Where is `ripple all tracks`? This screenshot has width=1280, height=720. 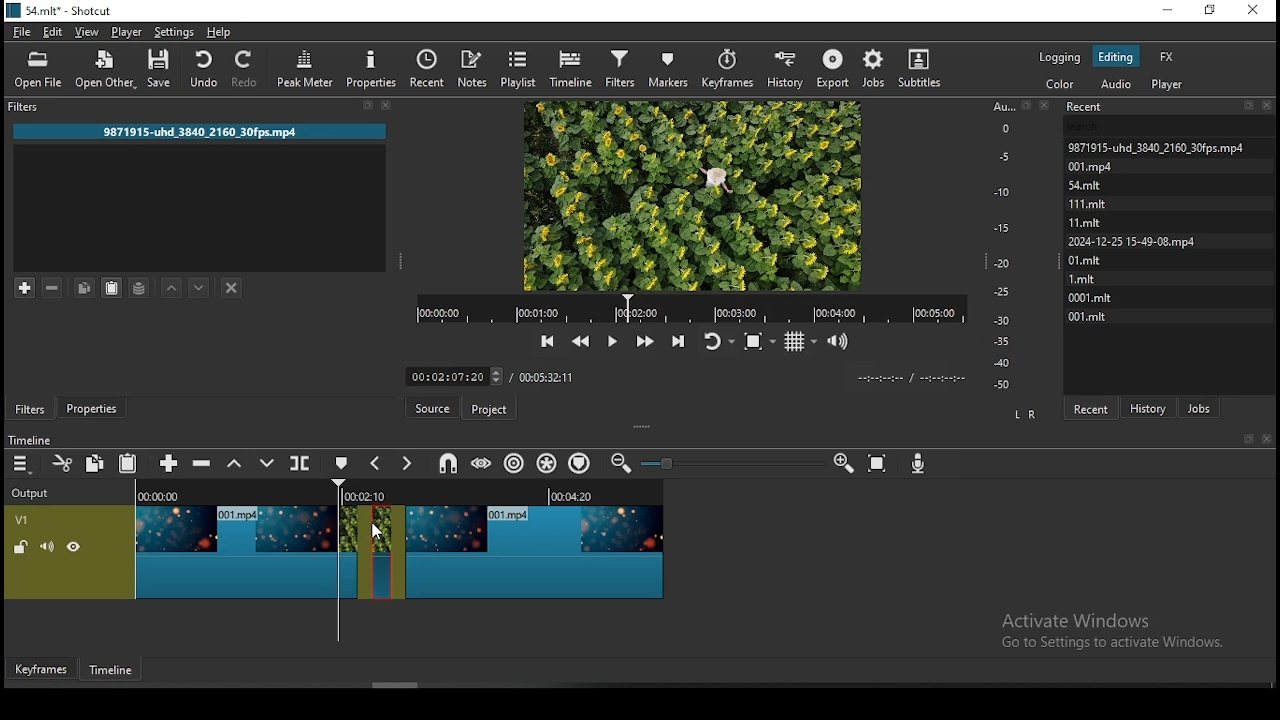
ripple all tracks is located at coordinates (543, 464).